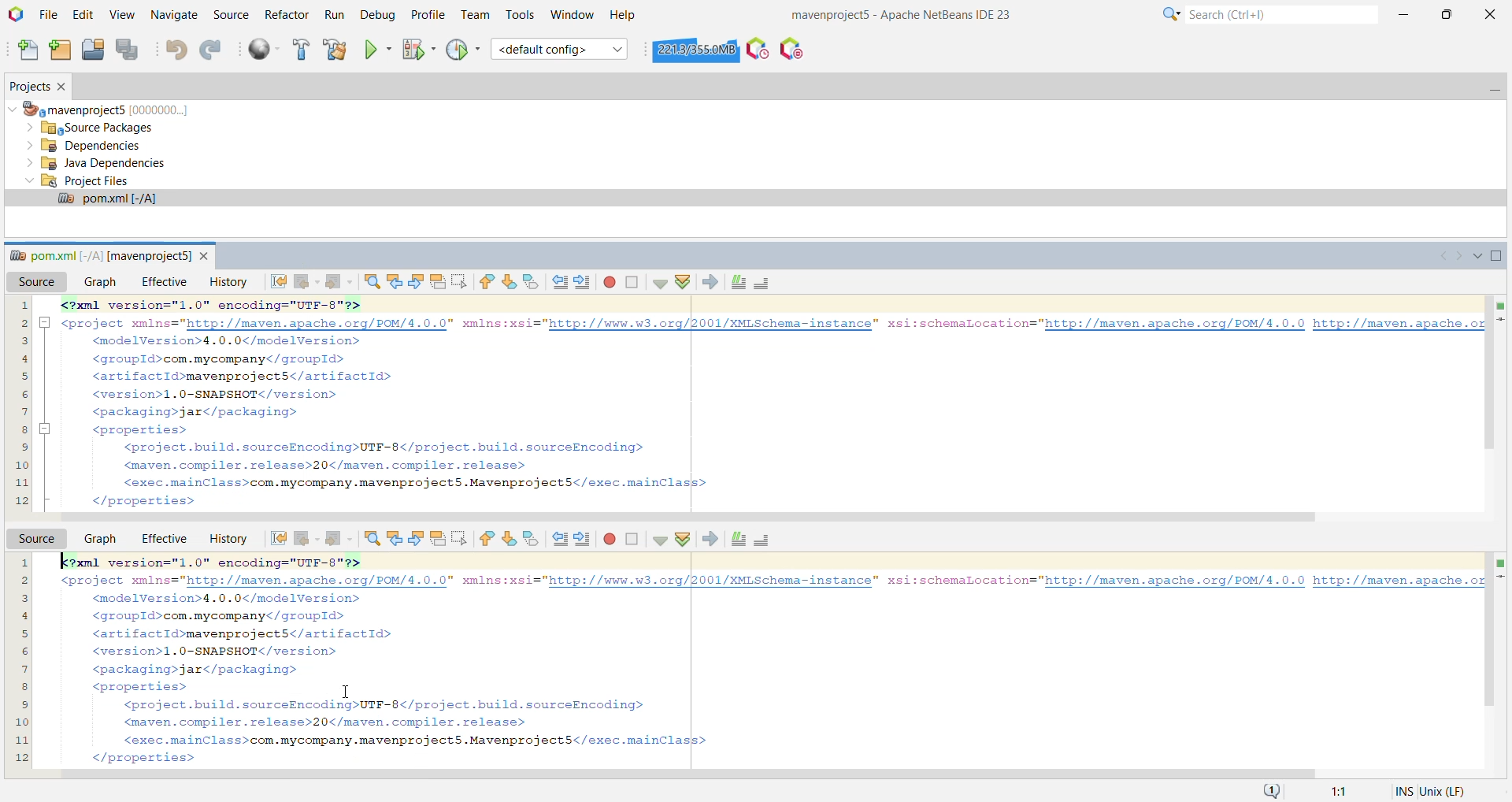  Describe the element at coordinates (176, 51) in the screenshot. I see `Undo` at that location.